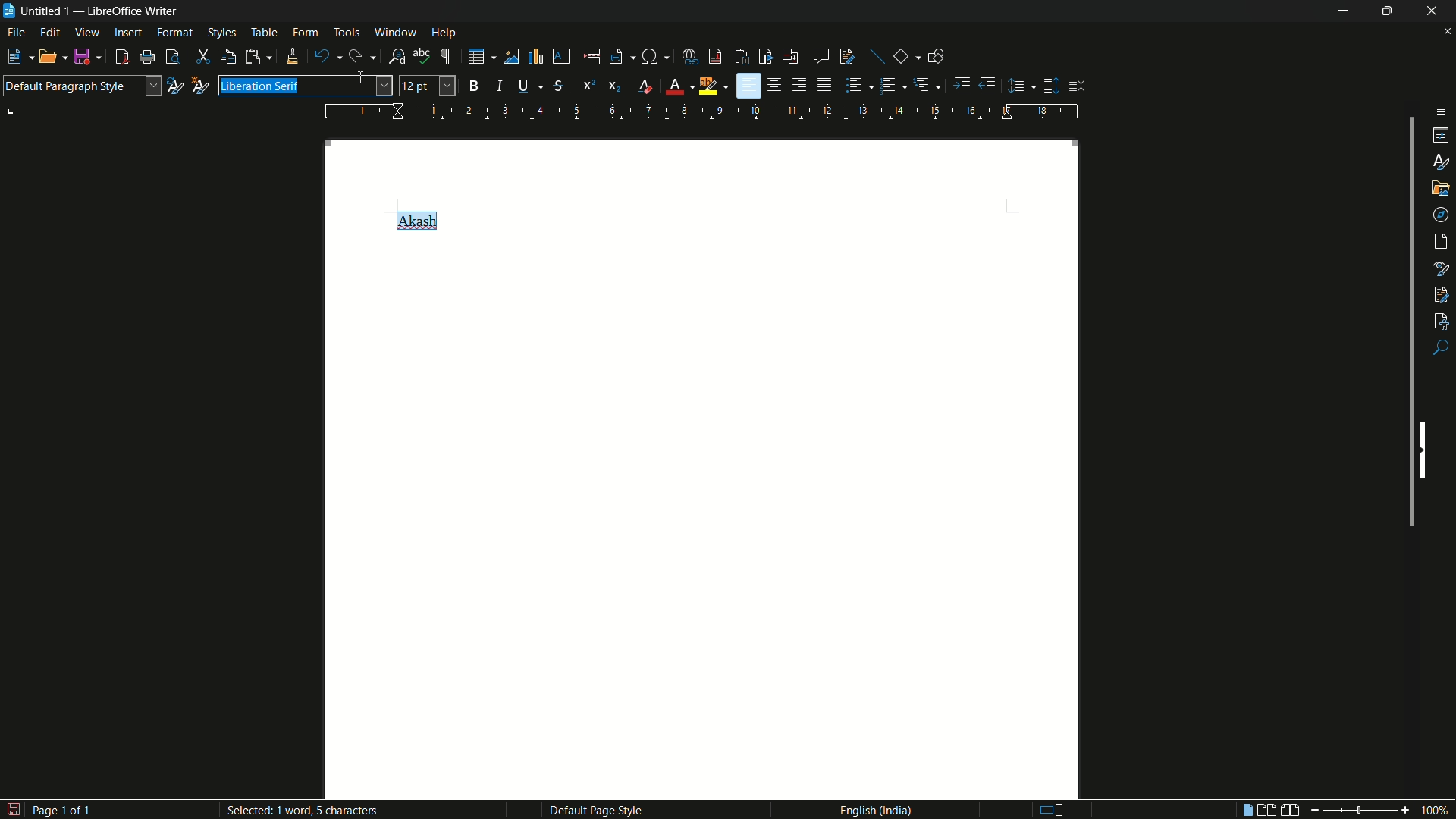 The height and width of the screenshot is (819, 1456). Describe the element at coordinates (748, 86) in the screenshot. I see `align left` at that location.